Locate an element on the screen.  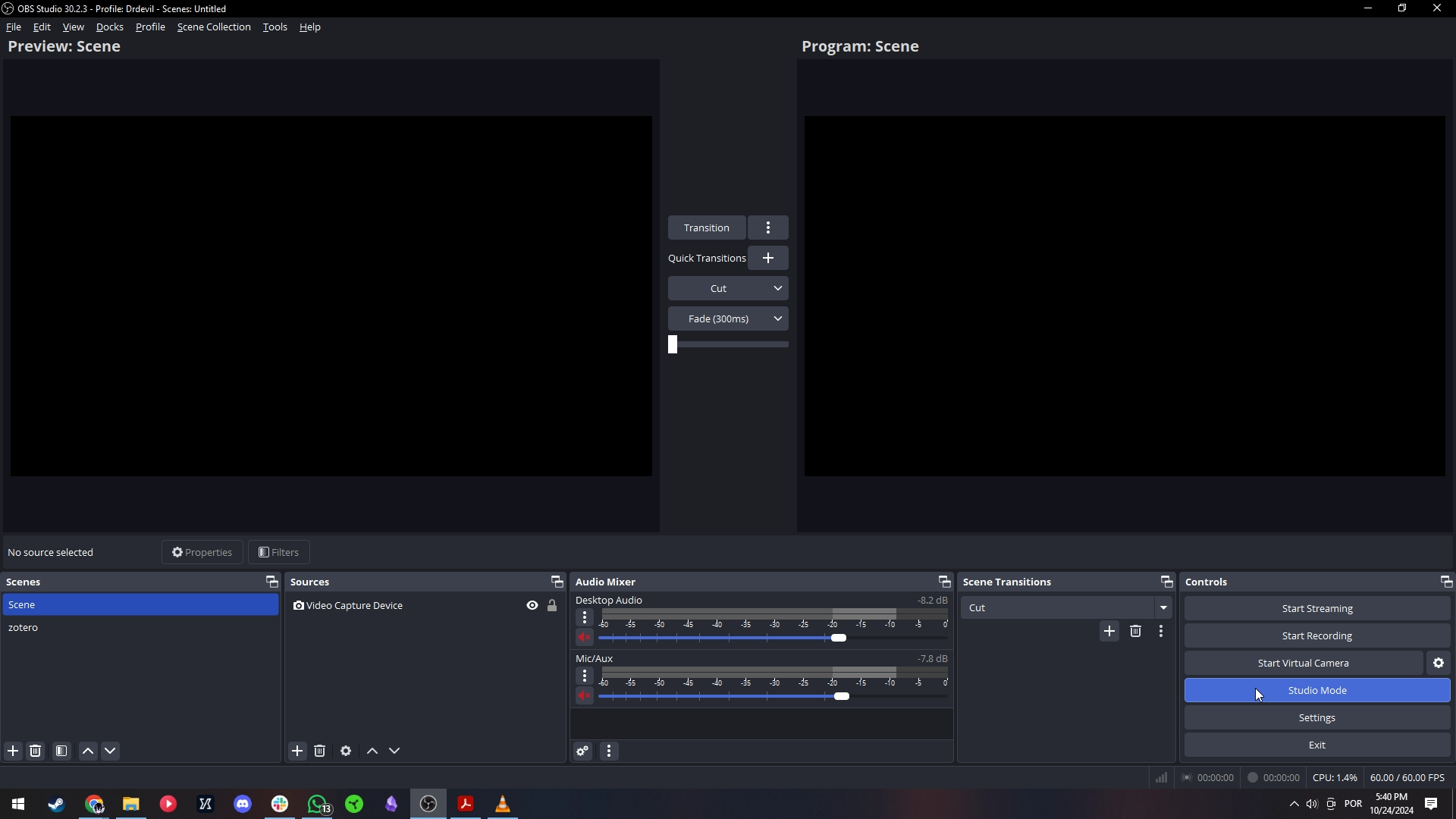
Remove selected sources is located at coordinates (320, 752).